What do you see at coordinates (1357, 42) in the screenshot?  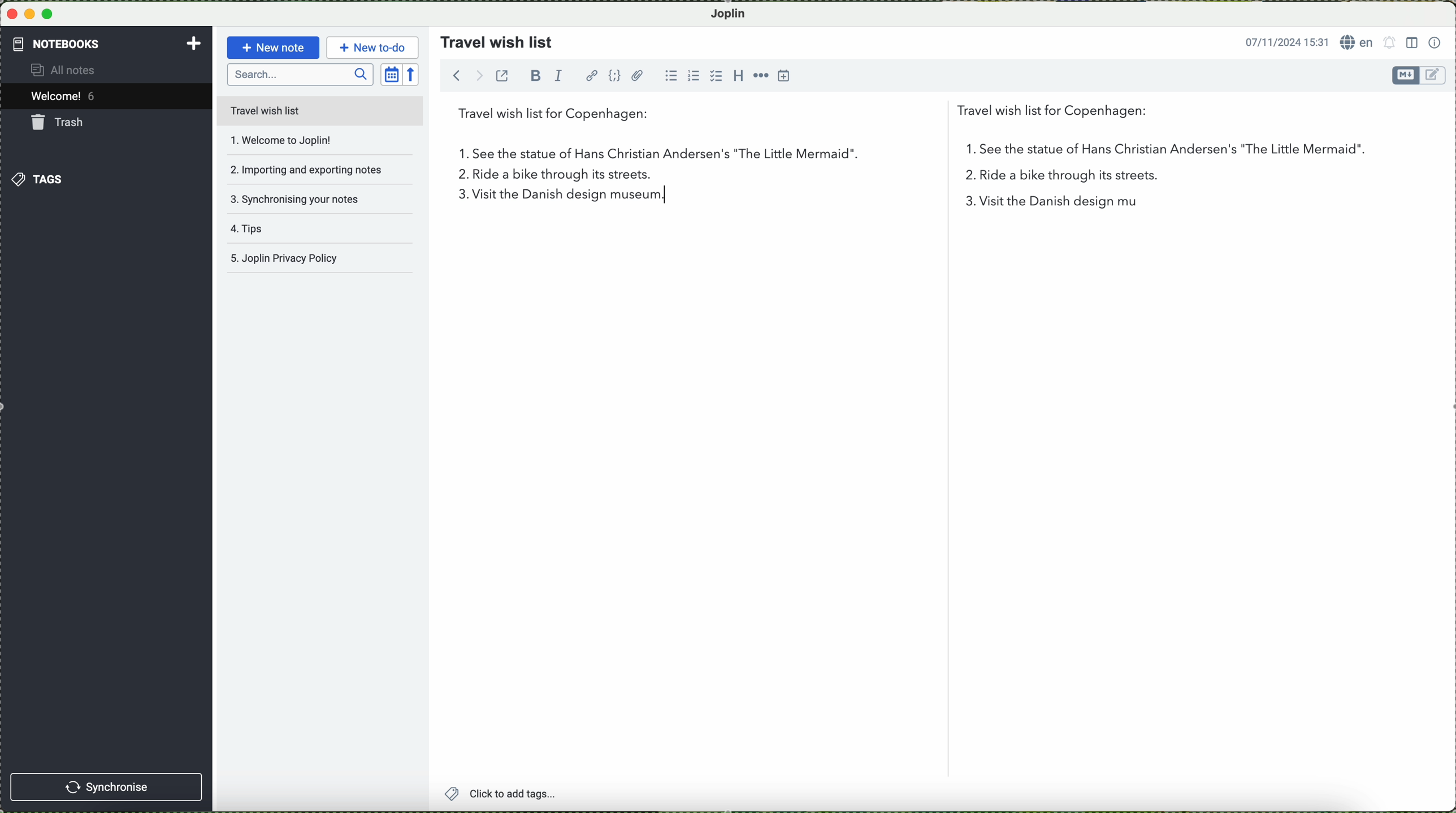 I see `language` at bounding box center [1357, 42].